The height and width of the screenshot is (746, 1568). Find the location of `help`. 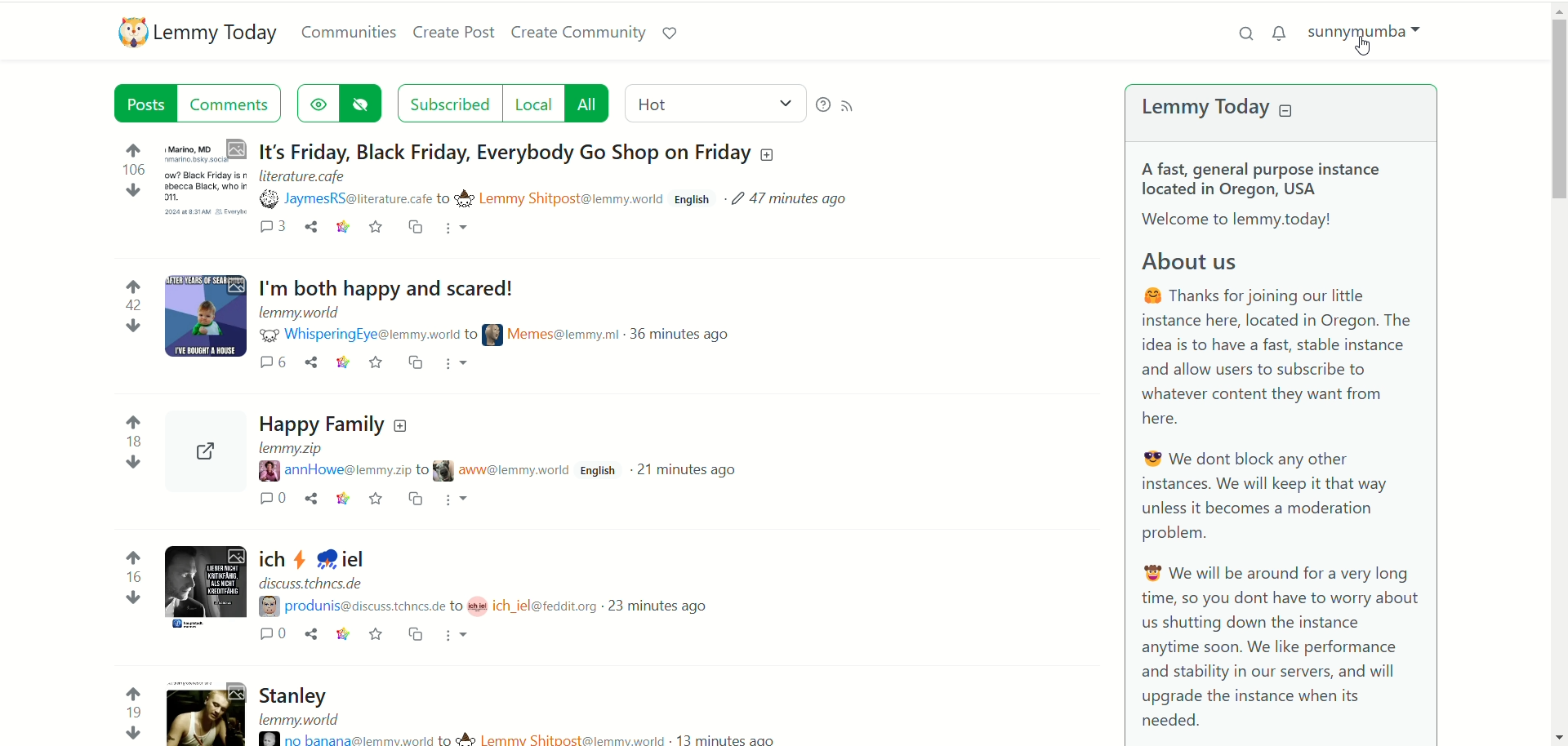

help is located at coordinates (822, 103).